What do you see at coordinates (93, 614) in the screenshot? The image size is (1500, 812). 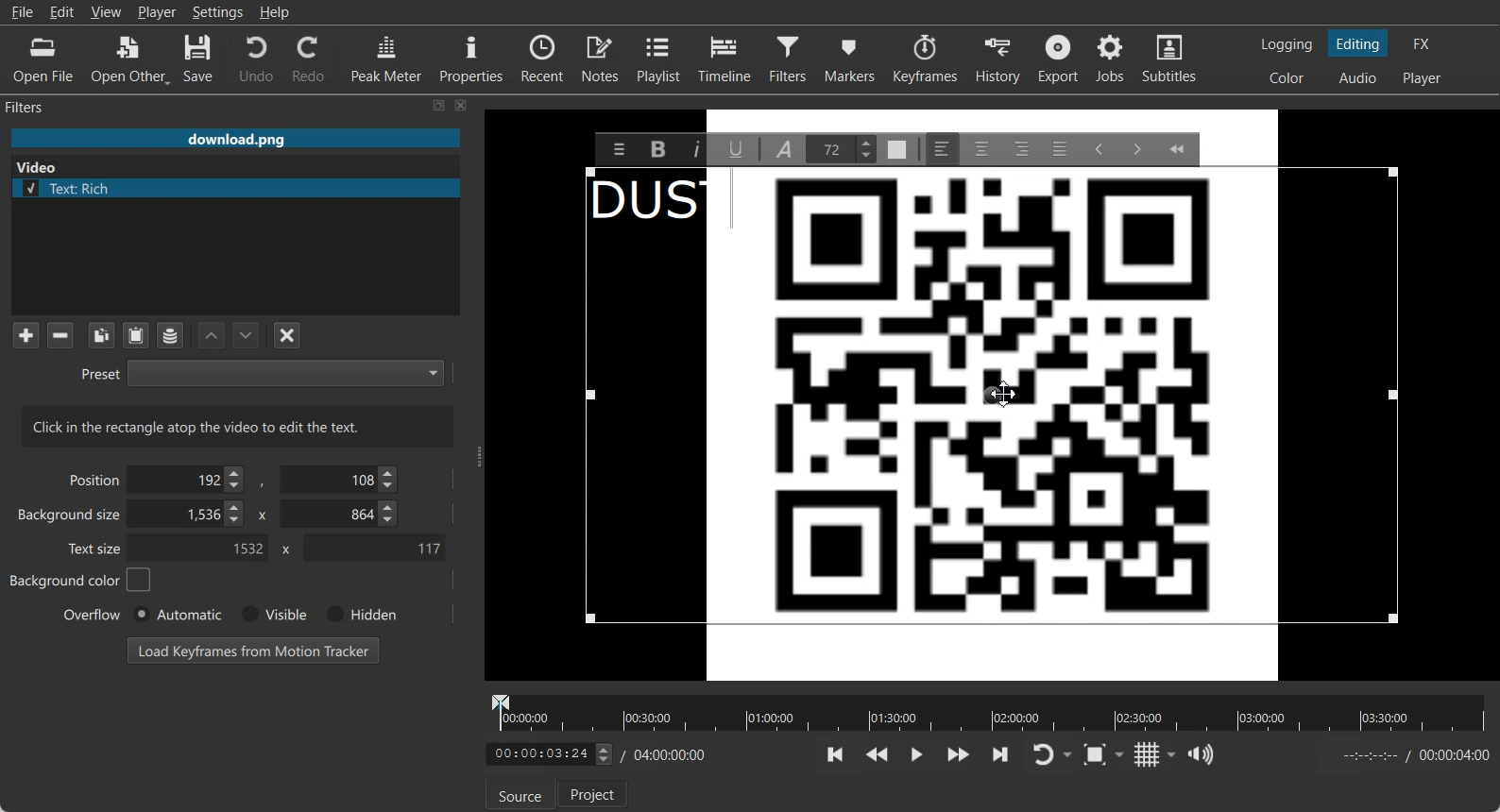 I see `Overflow` at bounding box center [93, 614].